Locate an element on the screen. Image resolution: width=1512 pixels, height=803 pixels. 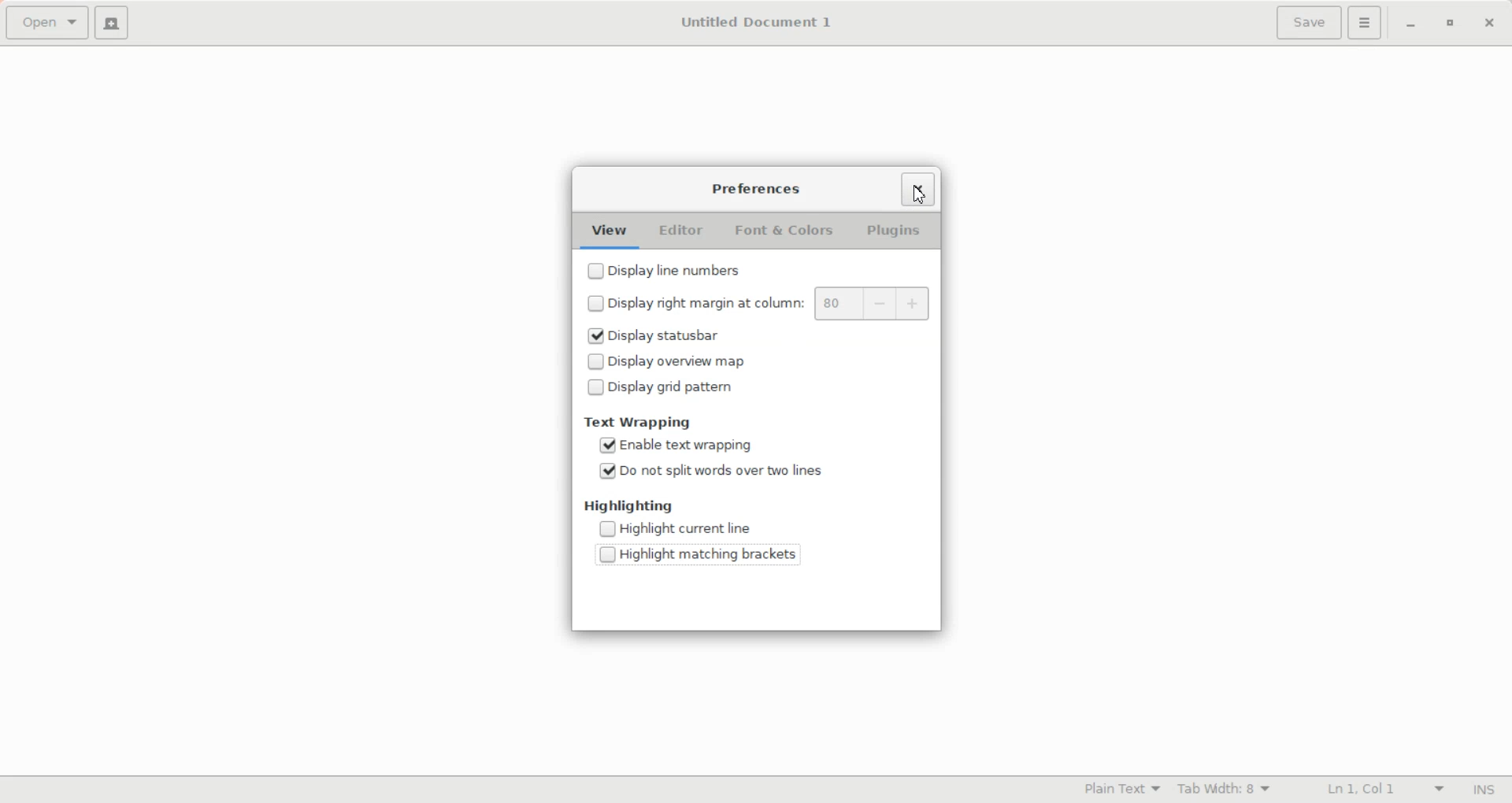
Highlighting is located at coordinates (630, 505).